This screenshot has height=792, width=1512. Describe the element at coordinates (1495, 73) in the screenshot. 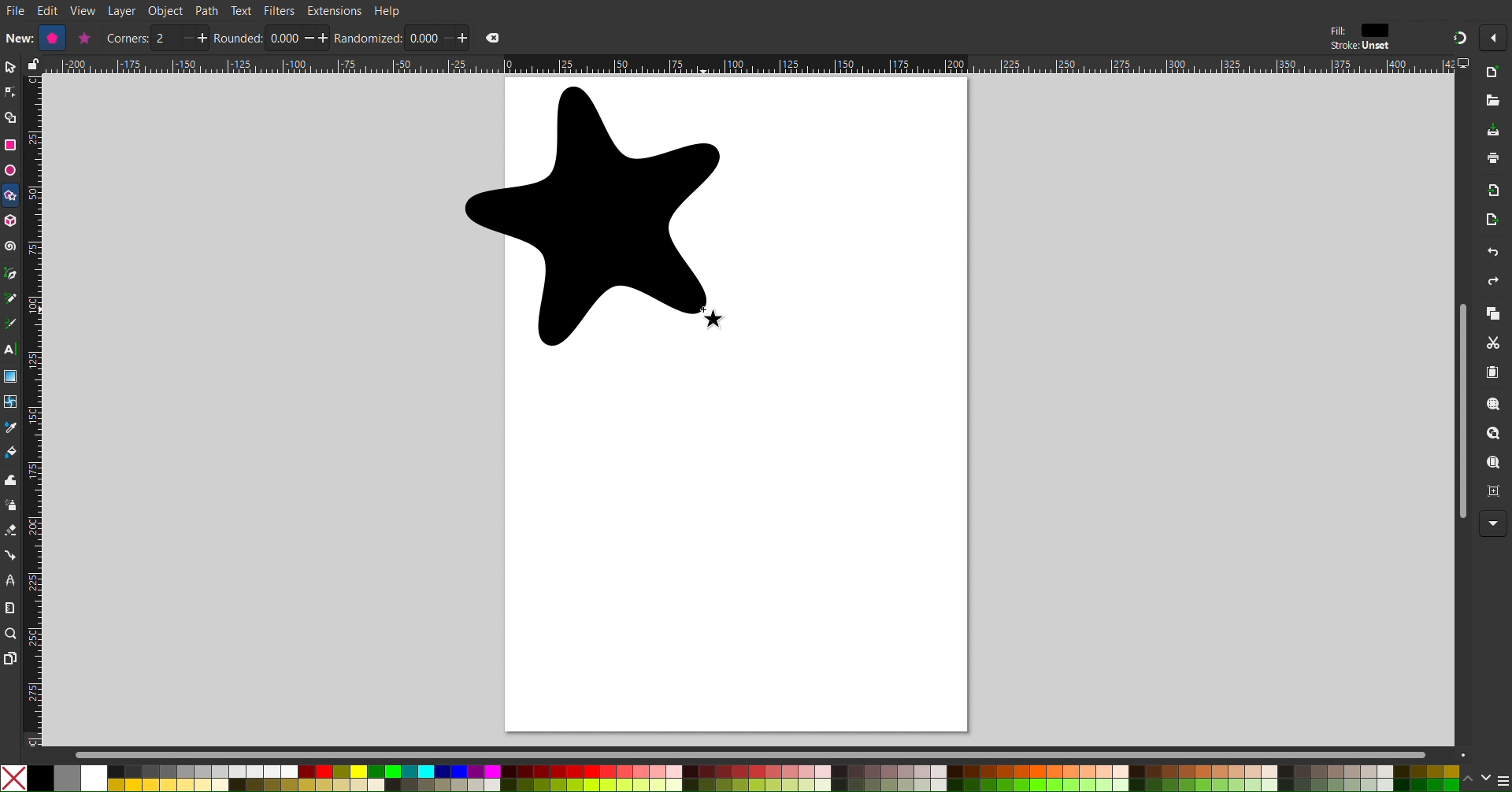

I see `New` at that location.